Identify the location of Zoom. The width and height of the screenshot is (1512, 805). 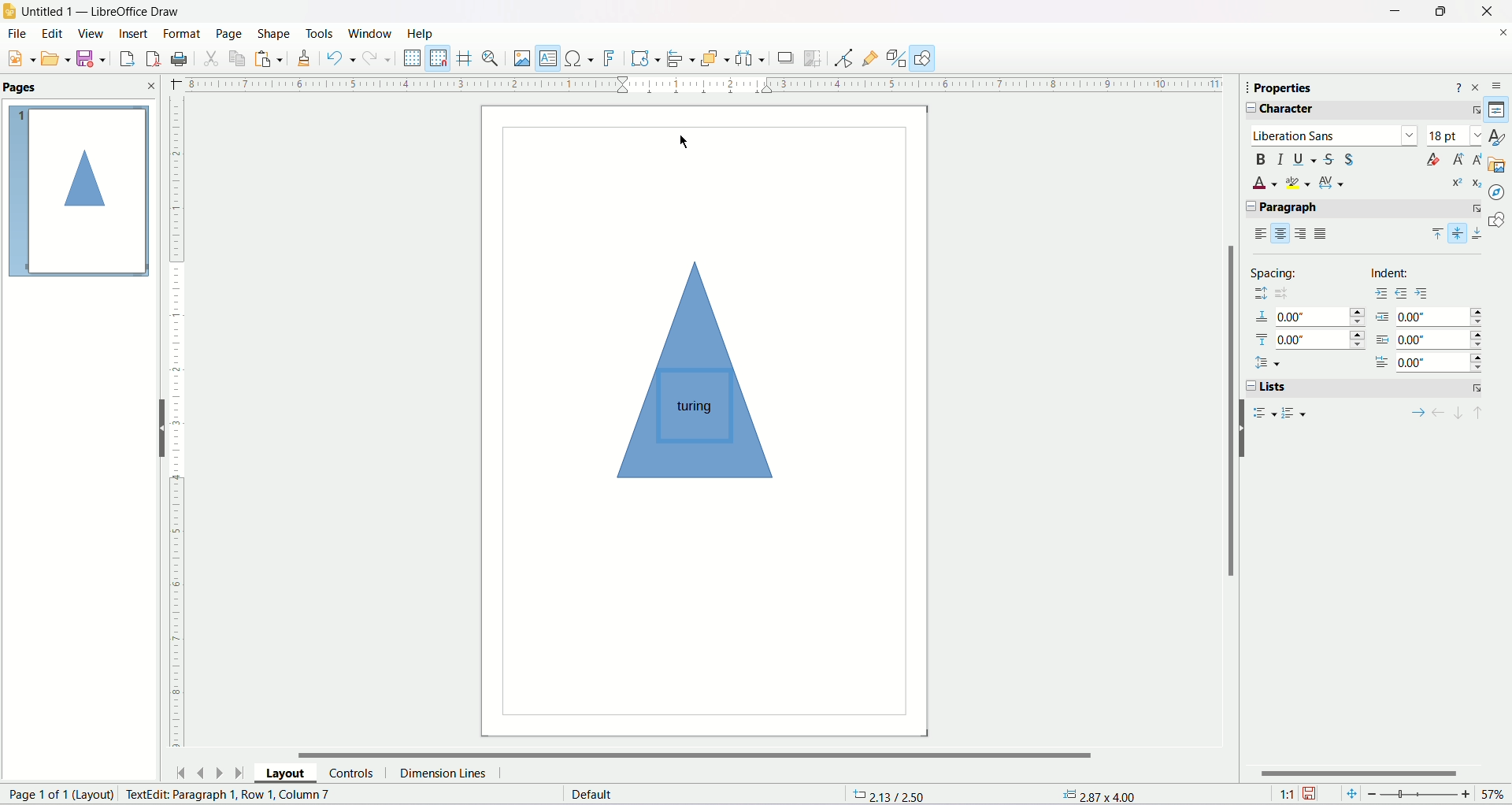
(1425, 794).